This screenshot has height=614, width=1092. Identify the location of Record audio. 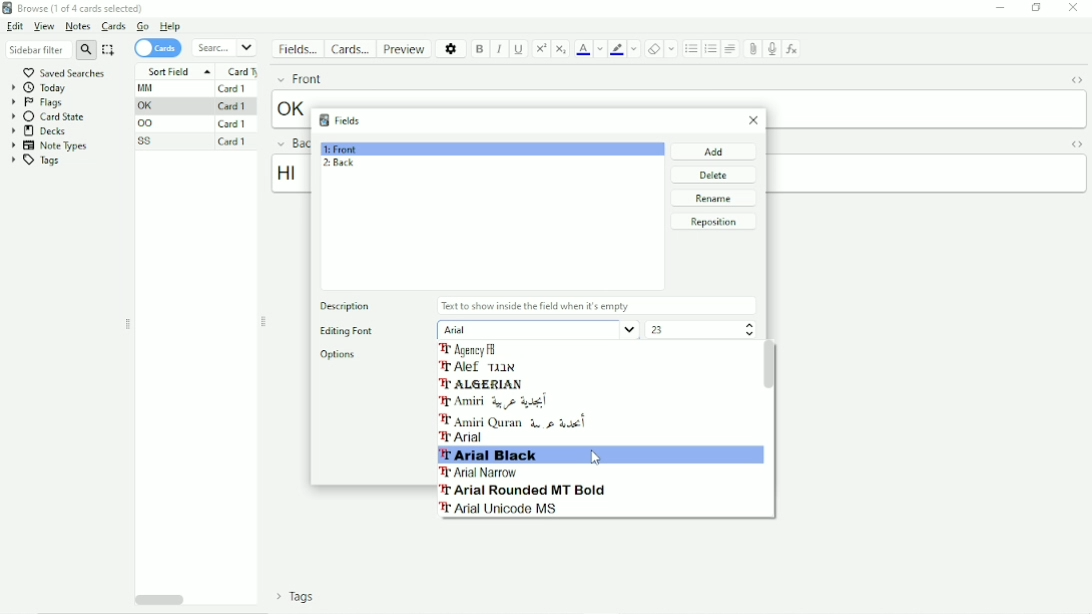
(771, 49).